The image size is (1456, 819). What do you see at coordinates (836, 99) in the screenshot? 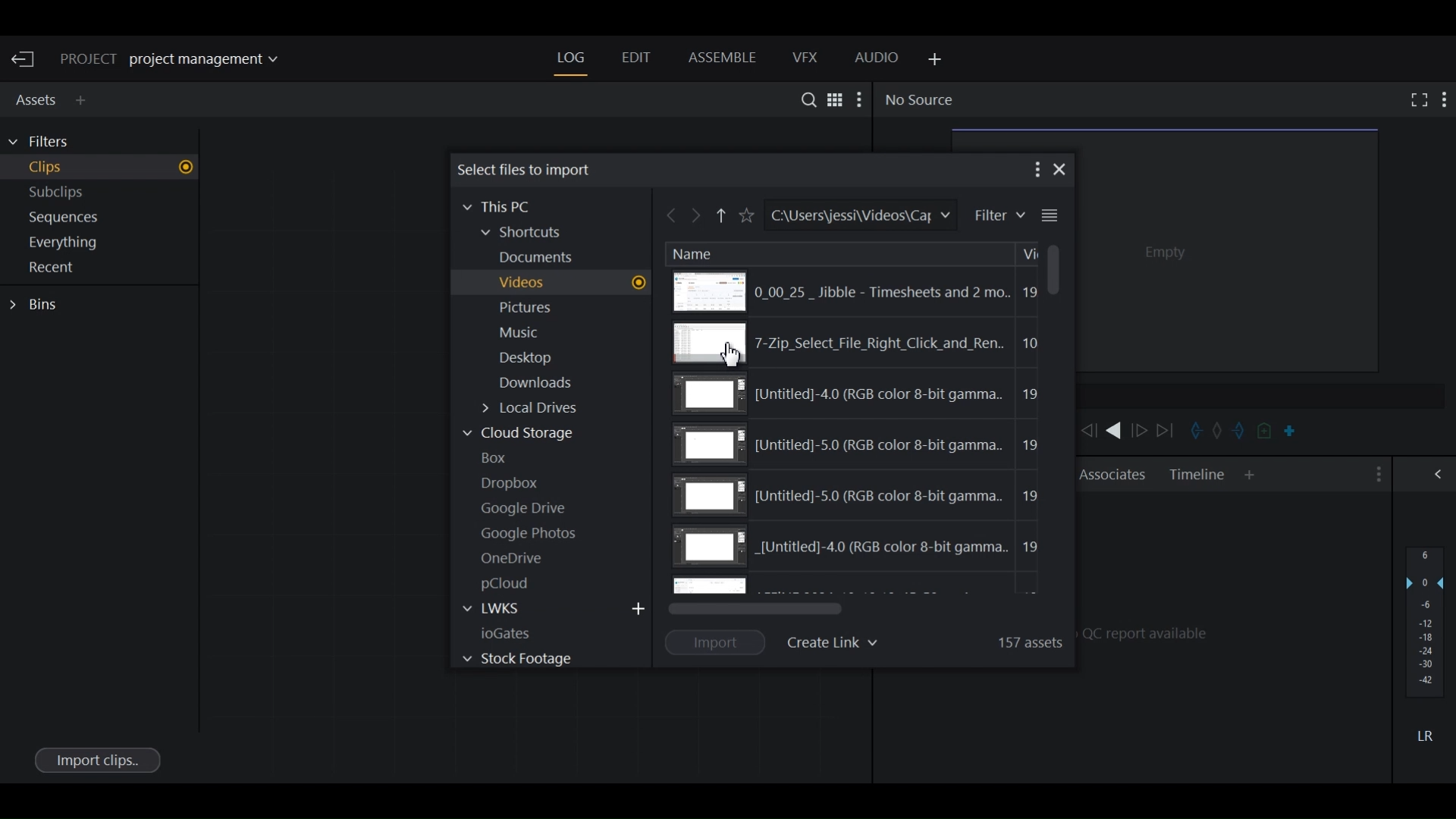
I see `Toggle between list and Tile View` at bounding box center [836, 99].